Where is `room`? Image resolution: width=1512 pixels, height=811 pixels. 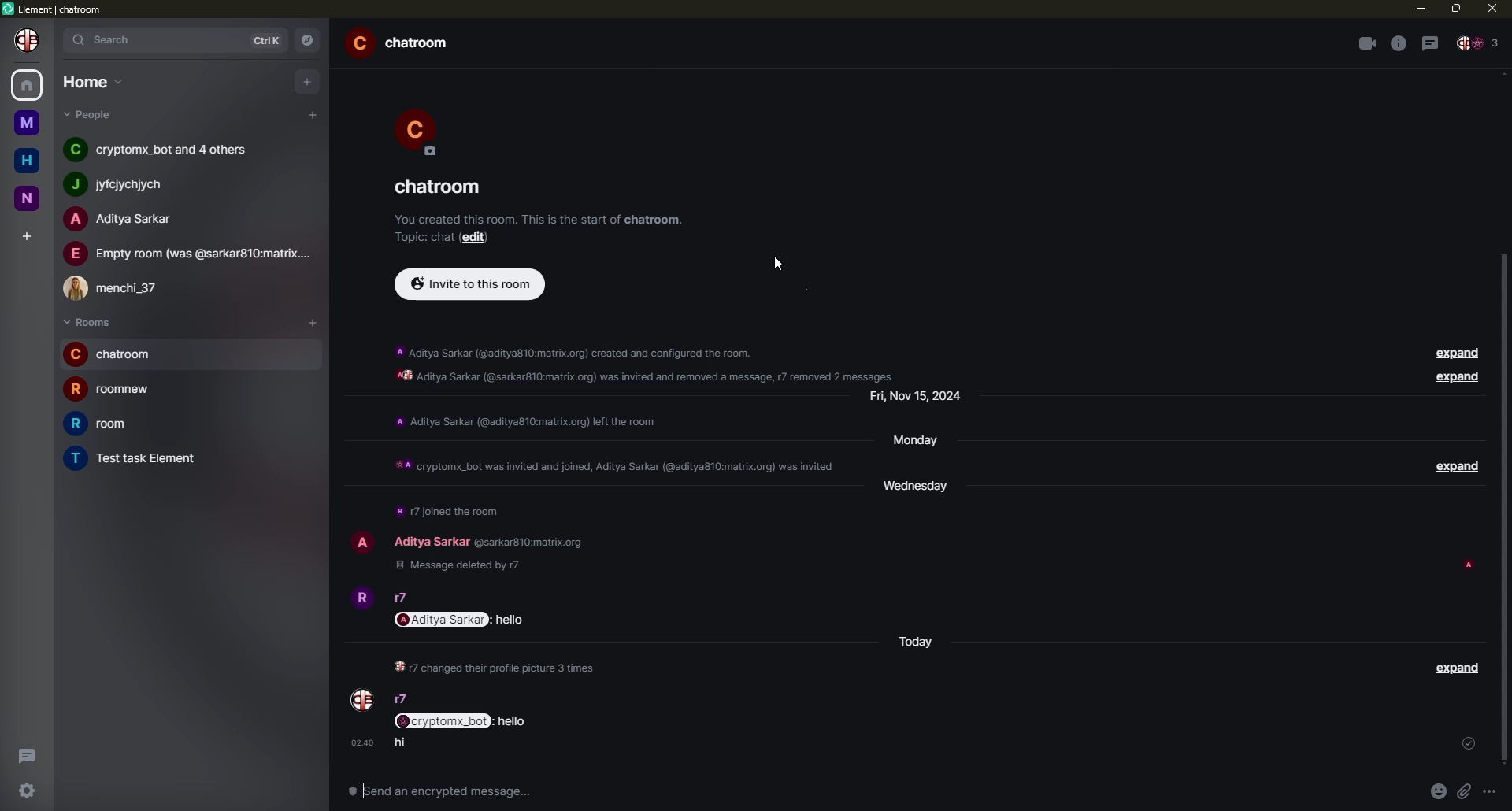 room is located at coordinates (403, 43).